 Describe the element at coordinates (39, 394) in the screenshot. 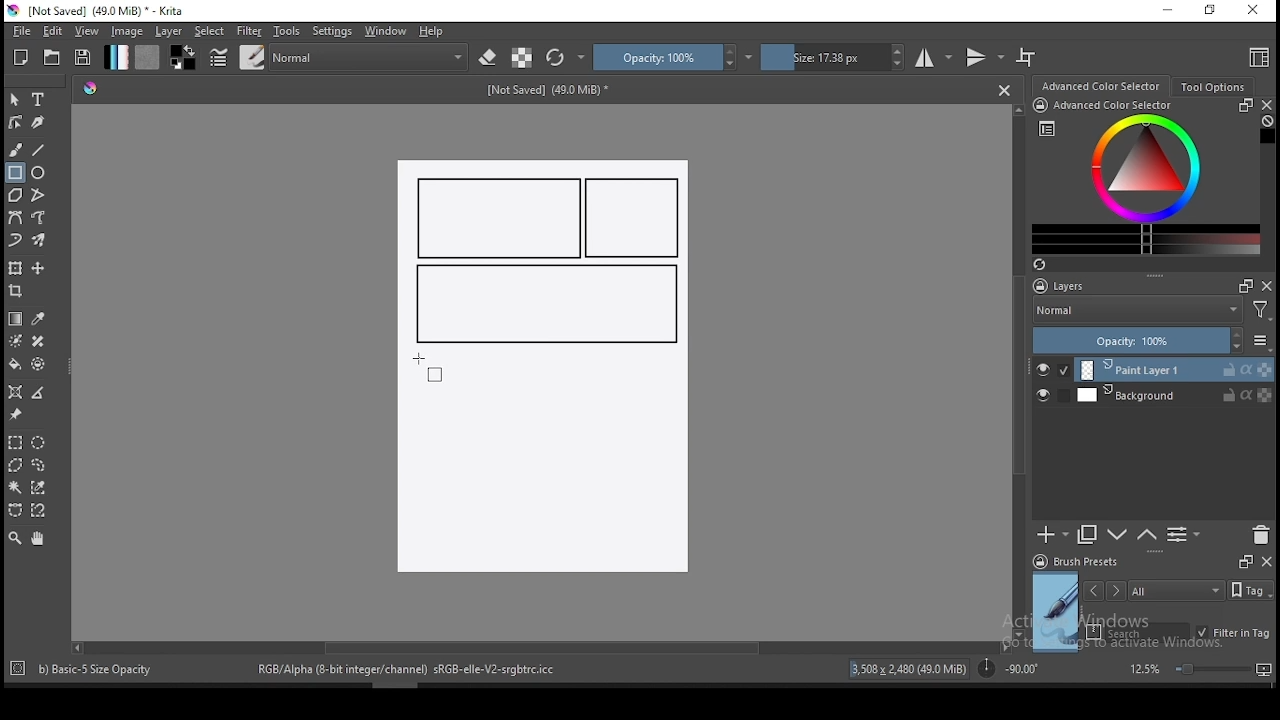

I see `measure distance between two points` at that location.